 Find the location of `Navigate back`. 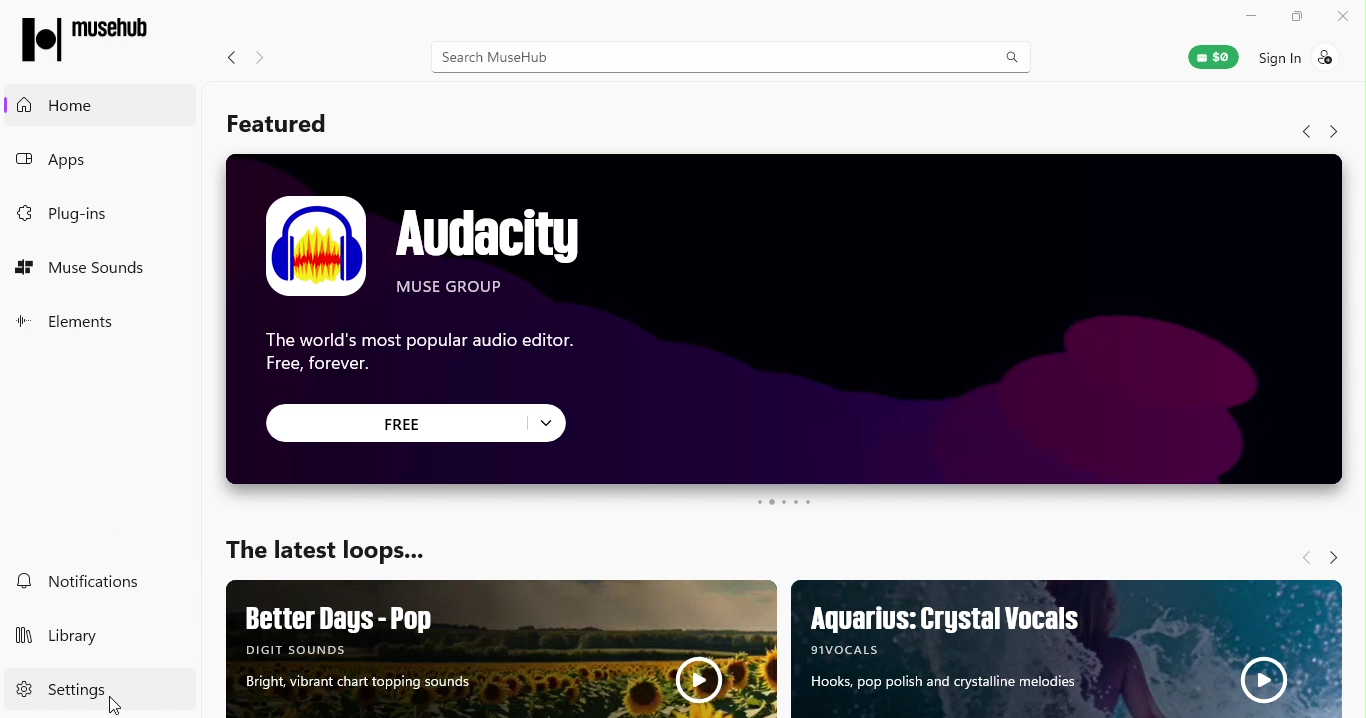

Navigate back is located at coordinates (1306, 556).